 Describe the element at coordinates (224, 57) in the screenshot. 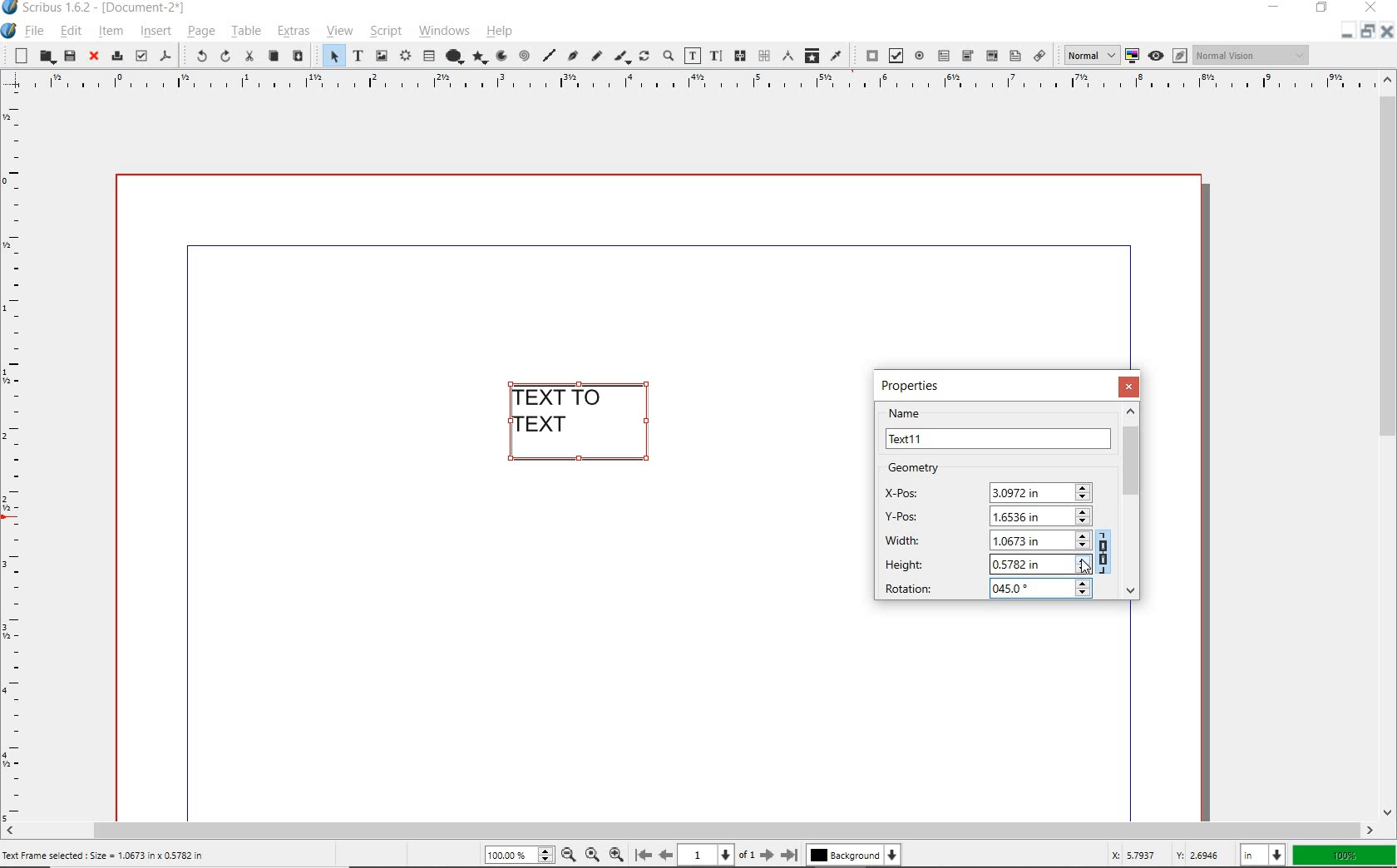

I see `redo` at that location.